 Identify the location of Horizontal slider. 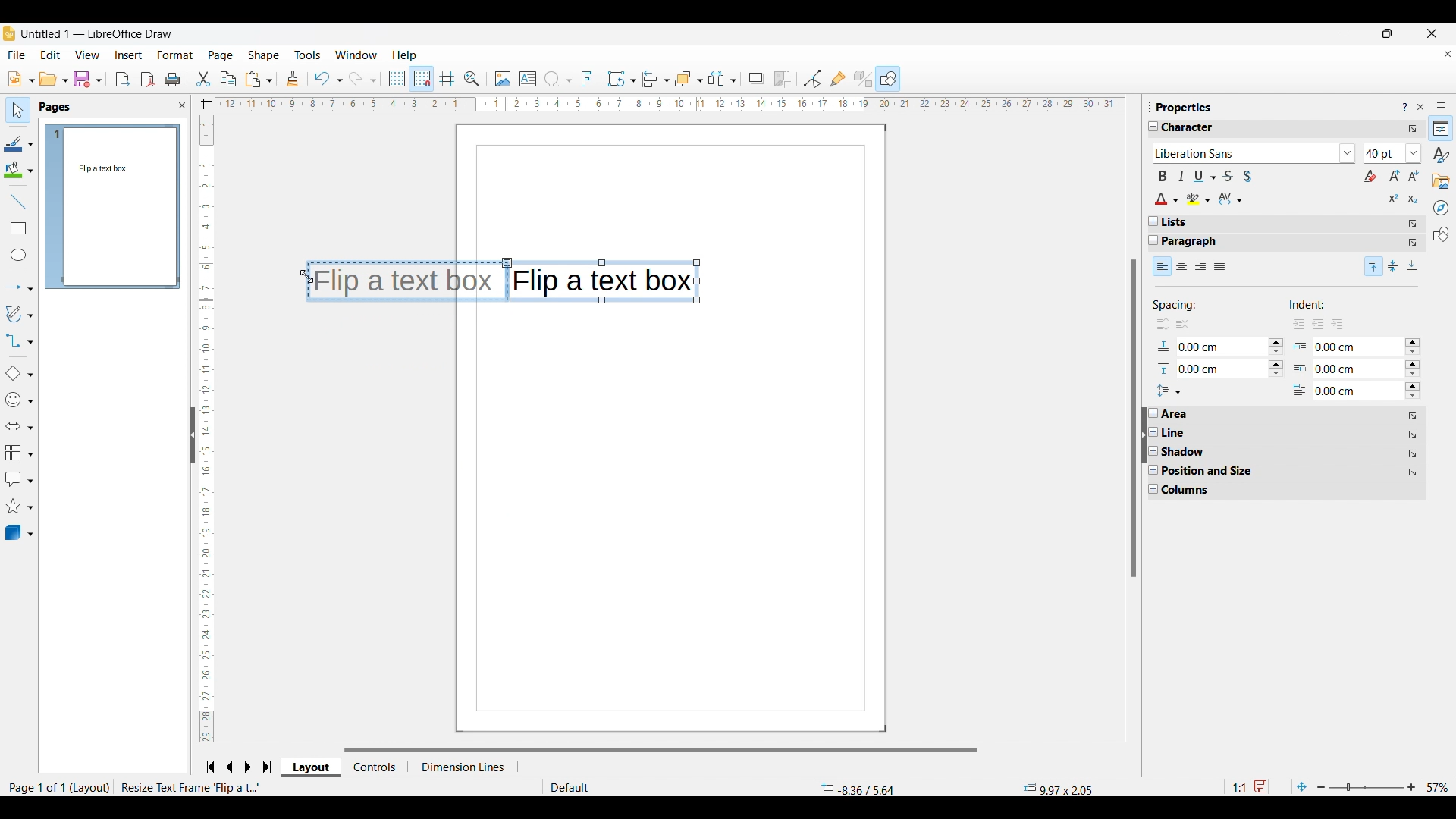
(661, 750).